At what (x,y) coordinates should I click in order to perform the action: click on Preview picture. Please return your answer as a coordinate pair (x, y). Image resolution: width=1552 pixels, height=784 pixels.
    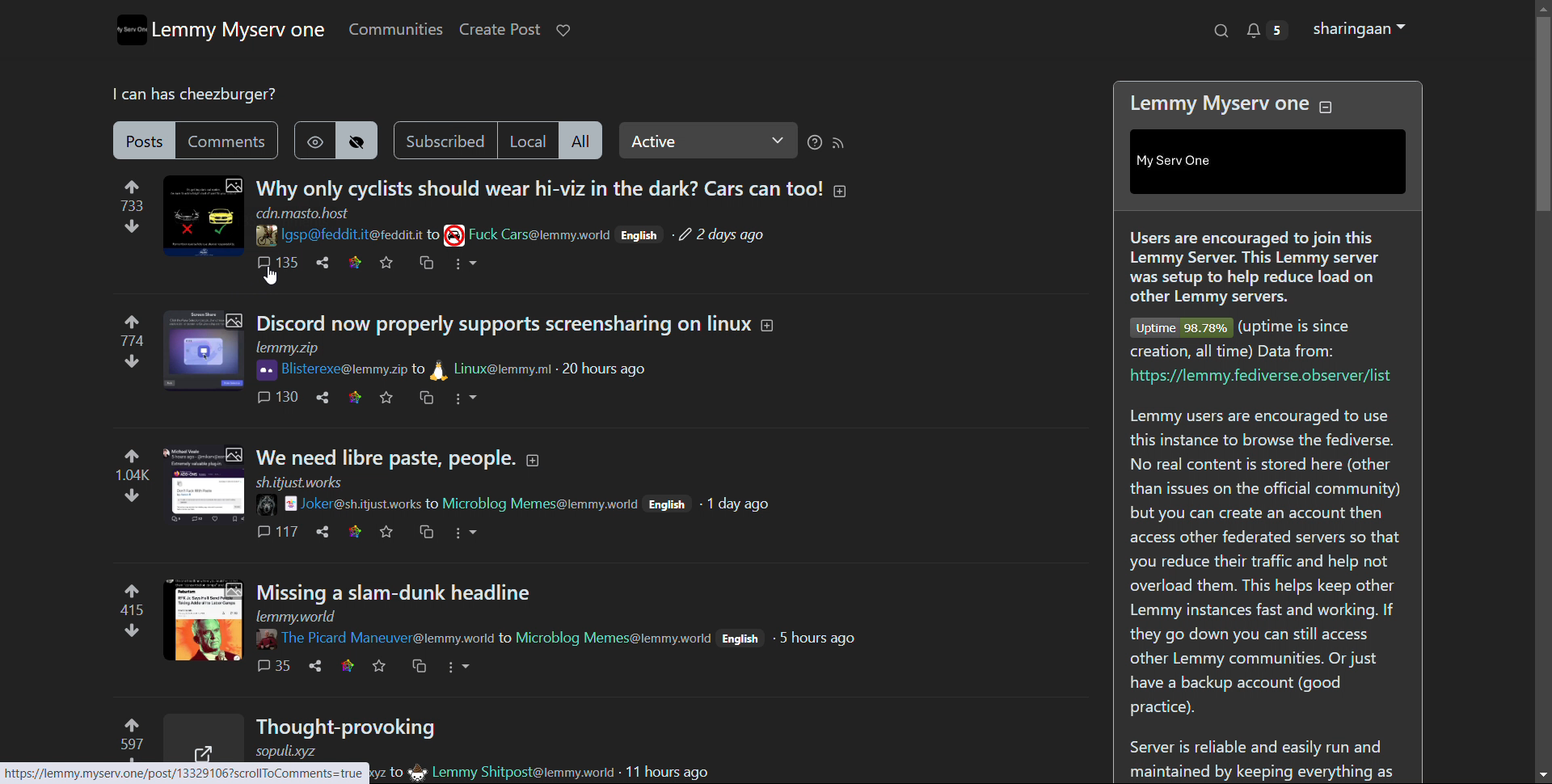
    Looking at the image, I should click on (205, 487).